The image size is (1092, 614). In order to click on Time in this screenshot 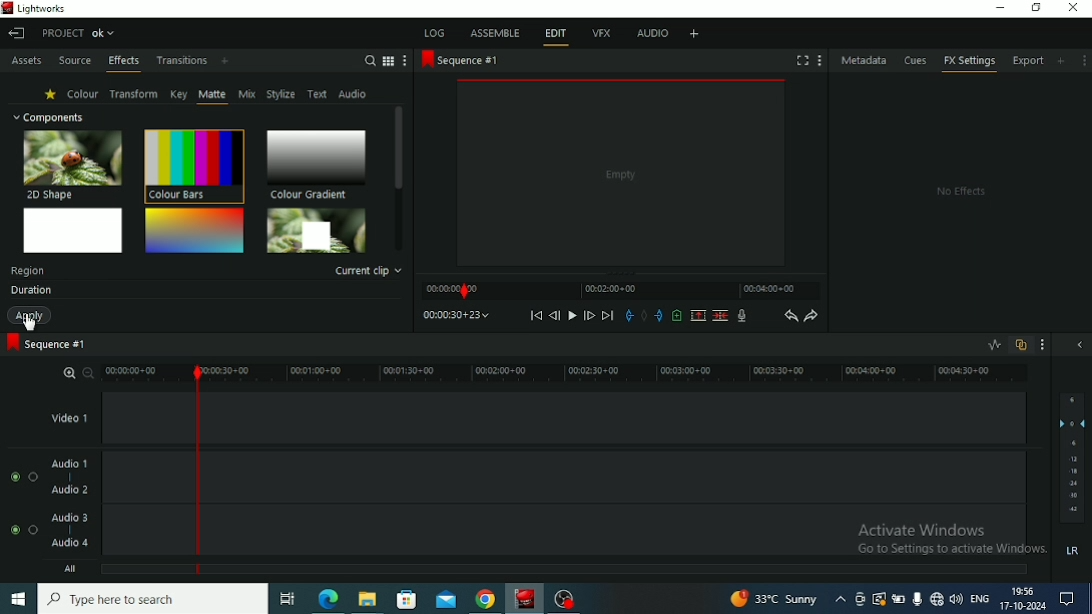, I will do `click(456, 314)`.